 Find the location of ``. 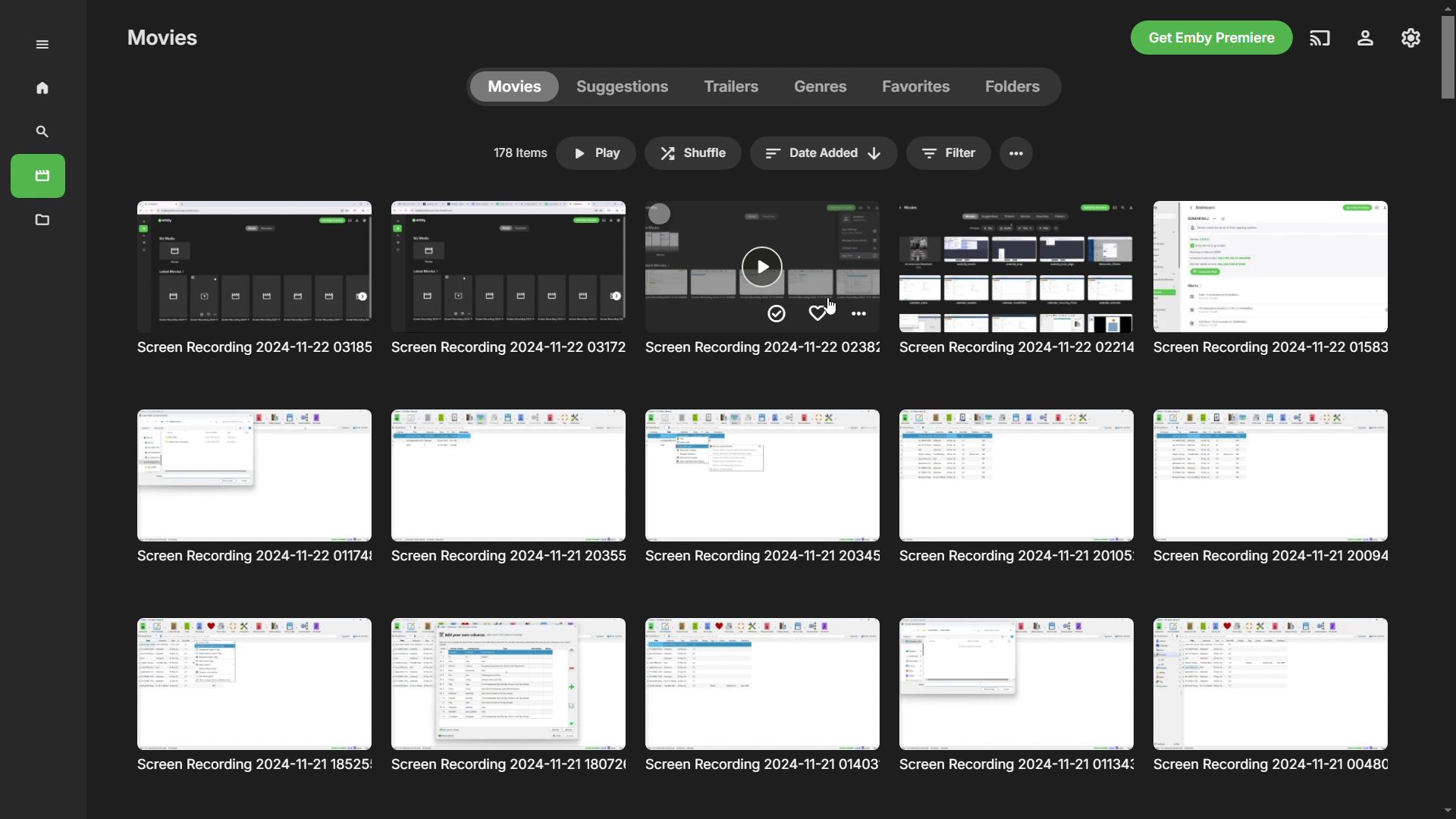

 is located at coordinates (167, 39).